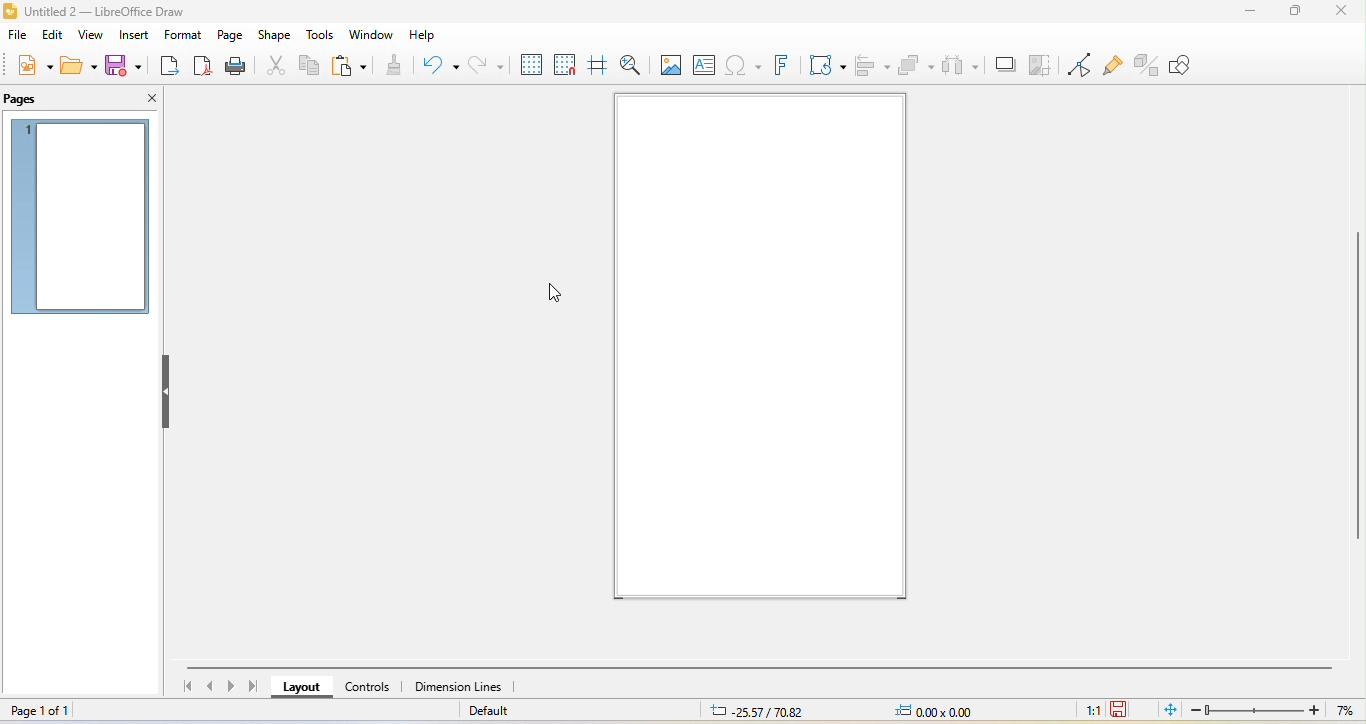 The image size is (1366, 724). What do you see at coordinates (234, 687) in the screenshot?
I see `next page` at bounding box center [234, 687].